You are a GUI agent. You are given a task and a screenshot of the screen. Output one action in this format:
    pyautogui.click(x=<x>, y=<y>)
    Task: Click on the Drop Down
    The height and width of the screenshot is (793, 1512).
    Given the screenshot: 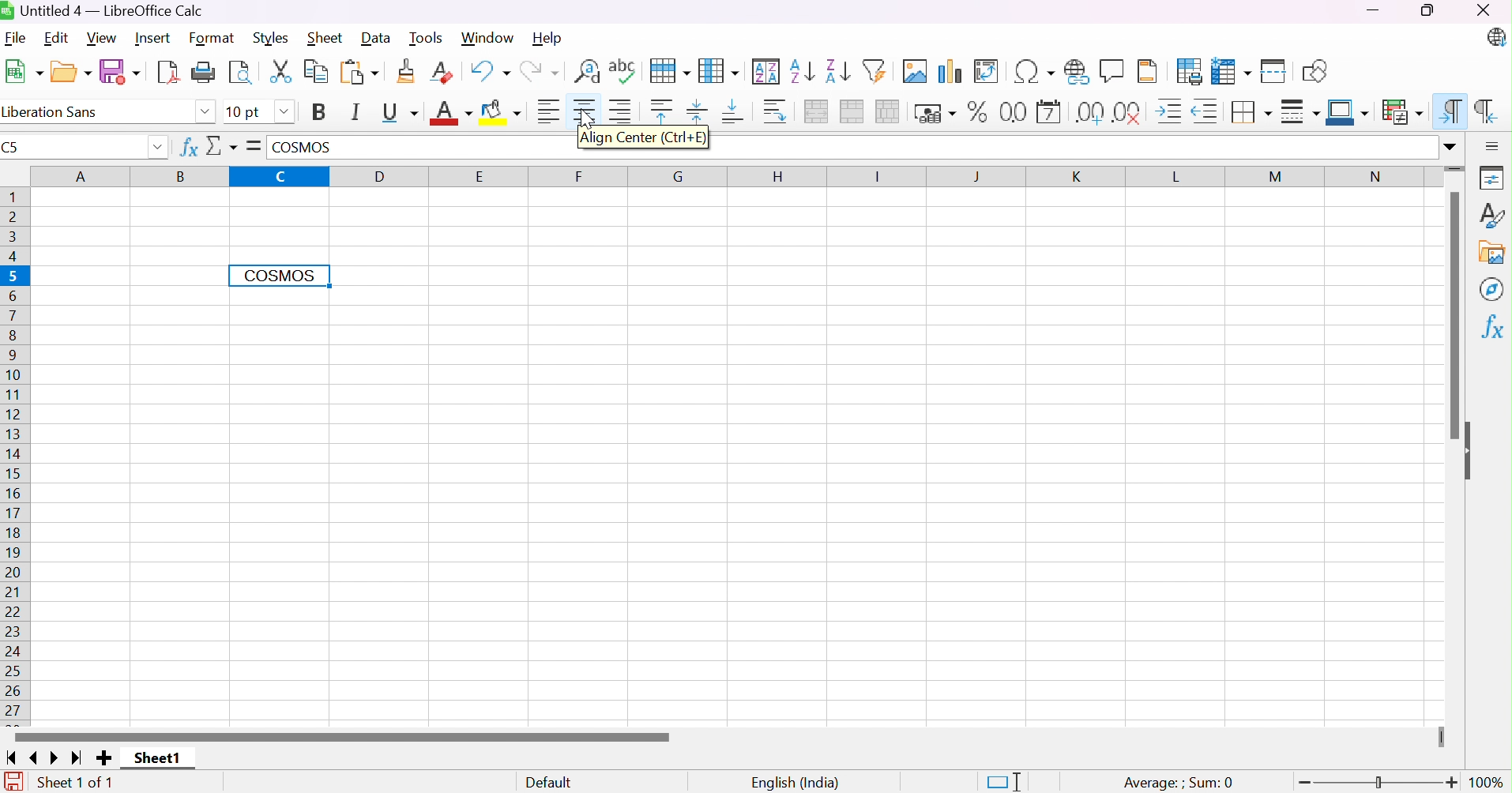 What is the action you would take?
    pyautogui.click(x=157, y=147)
    